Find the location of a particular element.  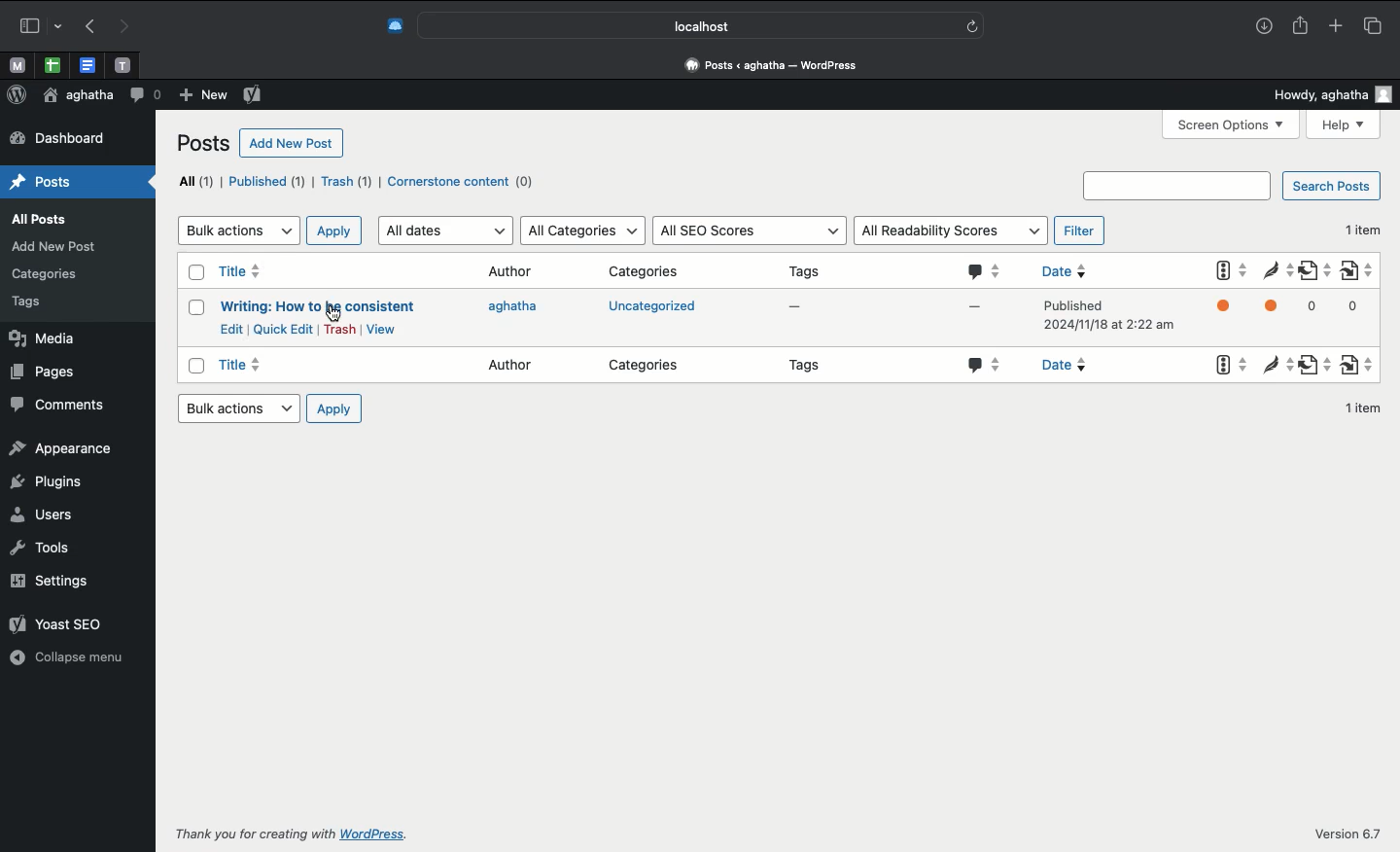

Categories is located at coordinates (642, 367).